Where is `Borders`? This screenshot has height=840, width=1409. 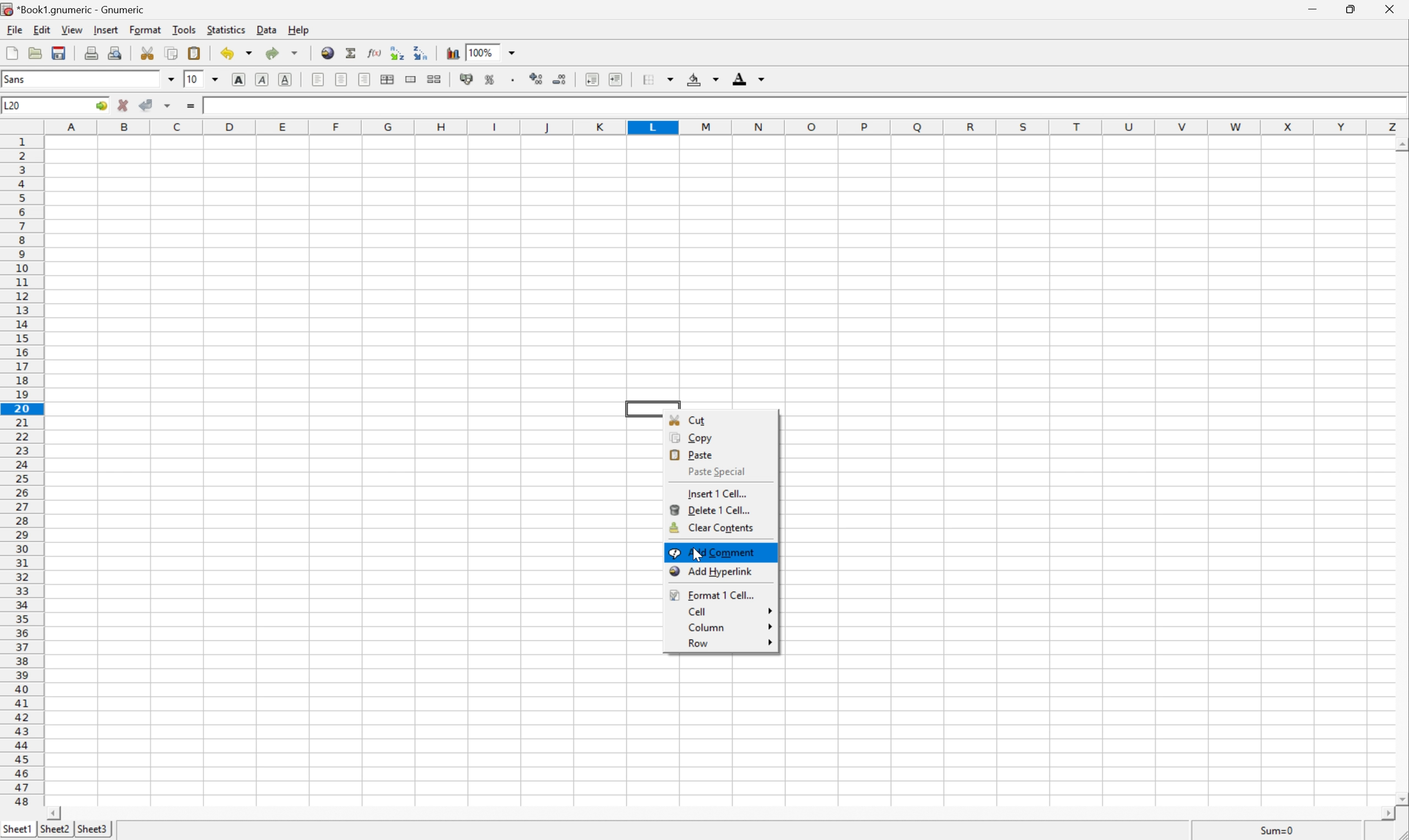 Borders is located at coordinates (659, 79).